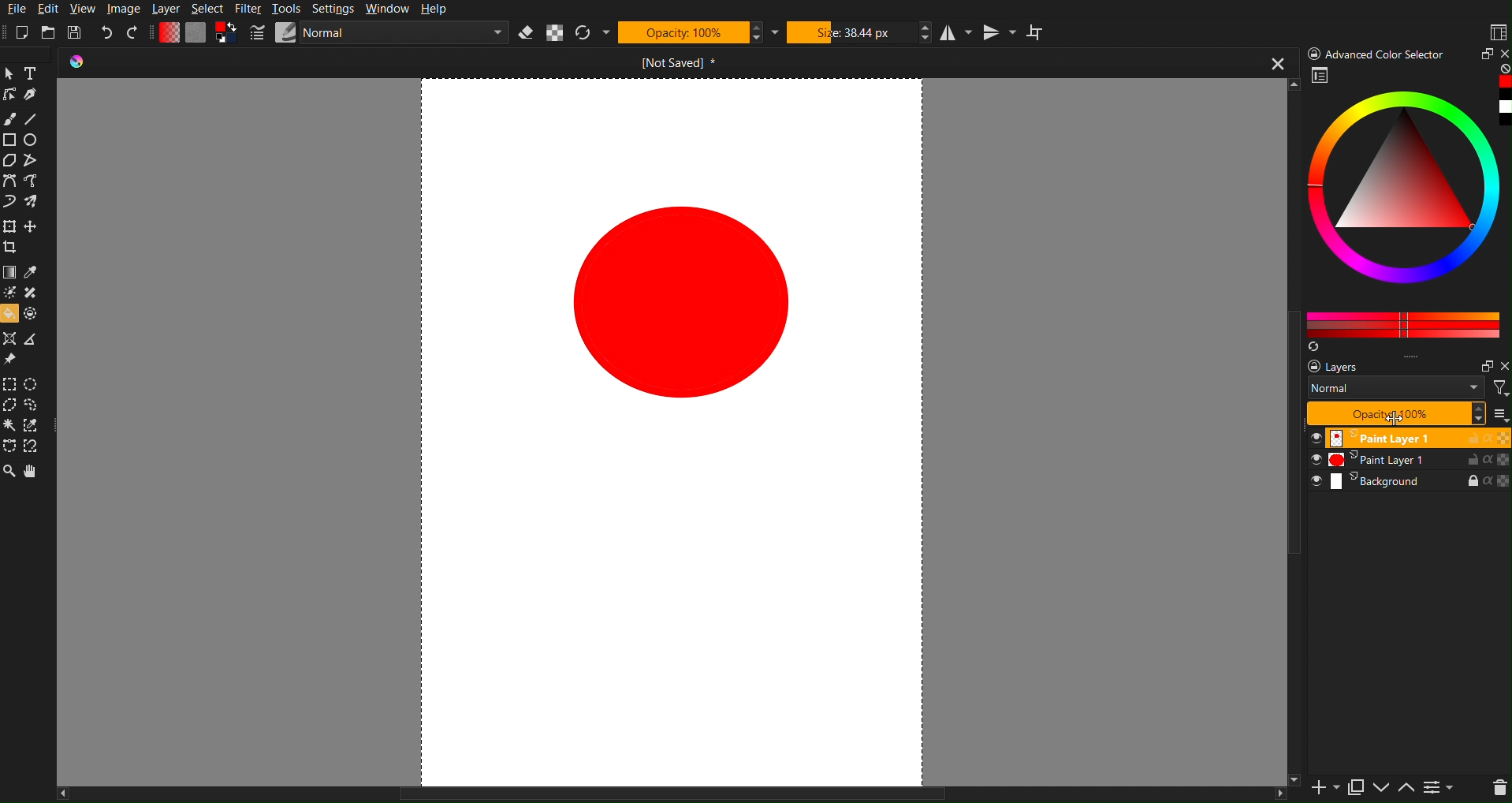  What do you see at coordinates (32, 181) in the screenshot?
I see `Freehand path` at bounding box center [32, 181].